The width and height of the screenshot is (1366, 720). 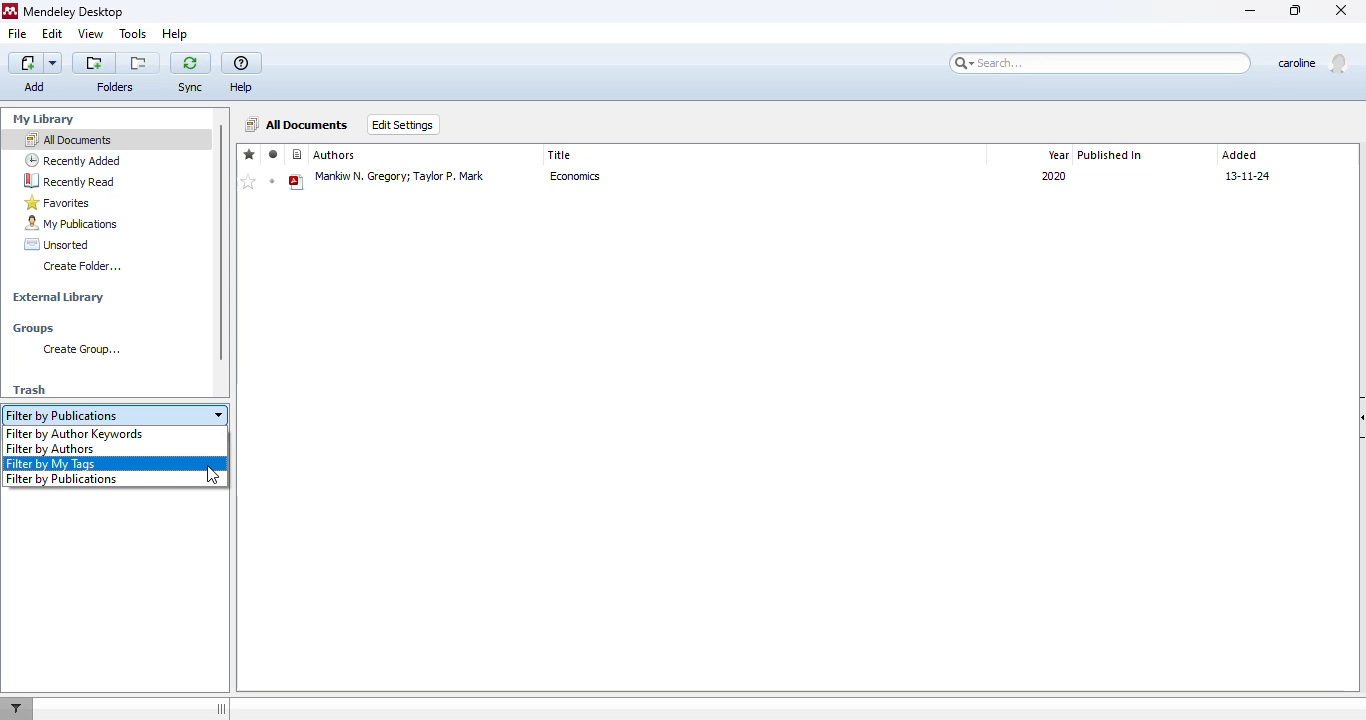 I want to click on tools, so click(x=133, y=33).